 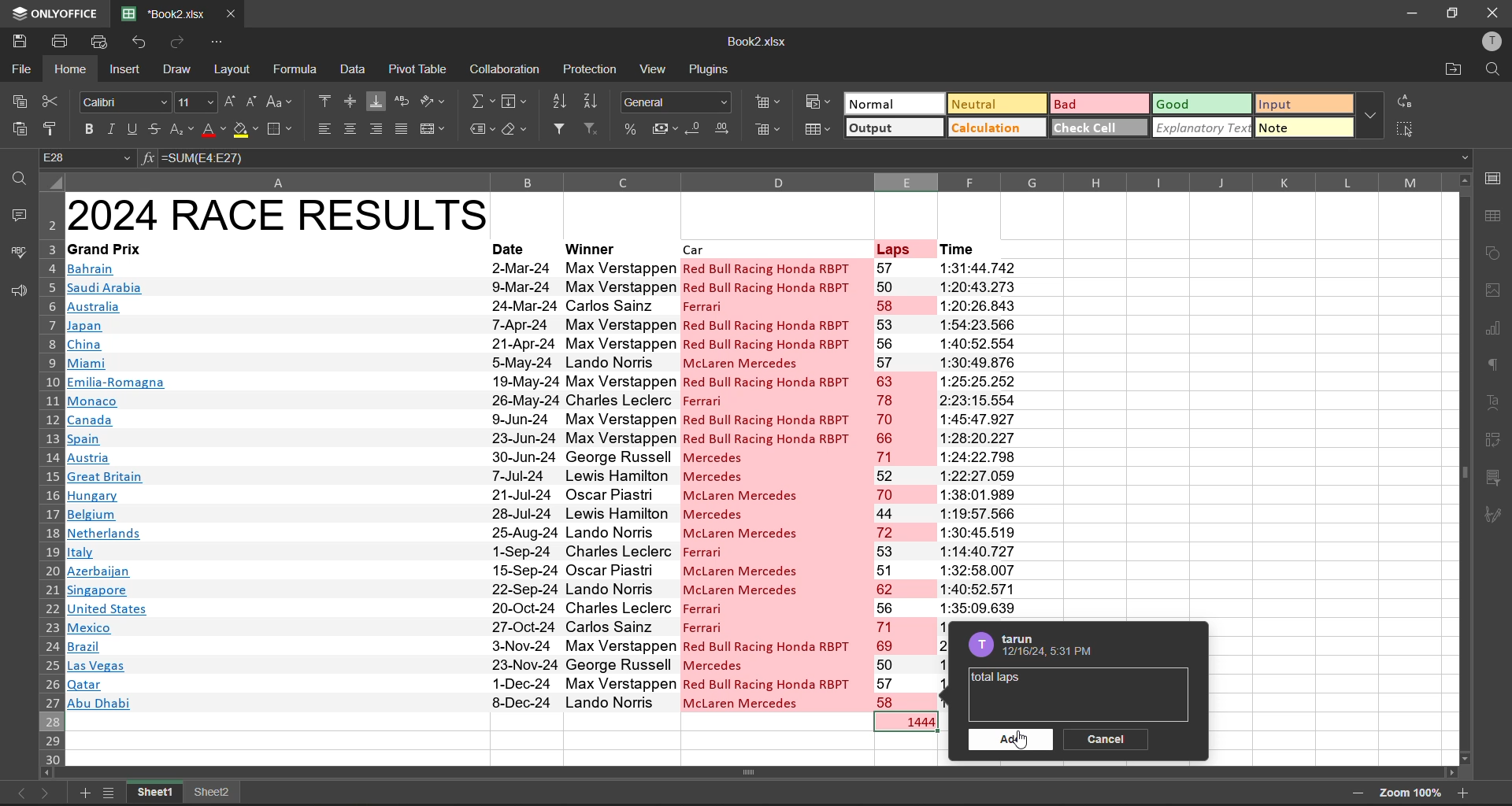 I want to click on print, so click(x=60, y=41).